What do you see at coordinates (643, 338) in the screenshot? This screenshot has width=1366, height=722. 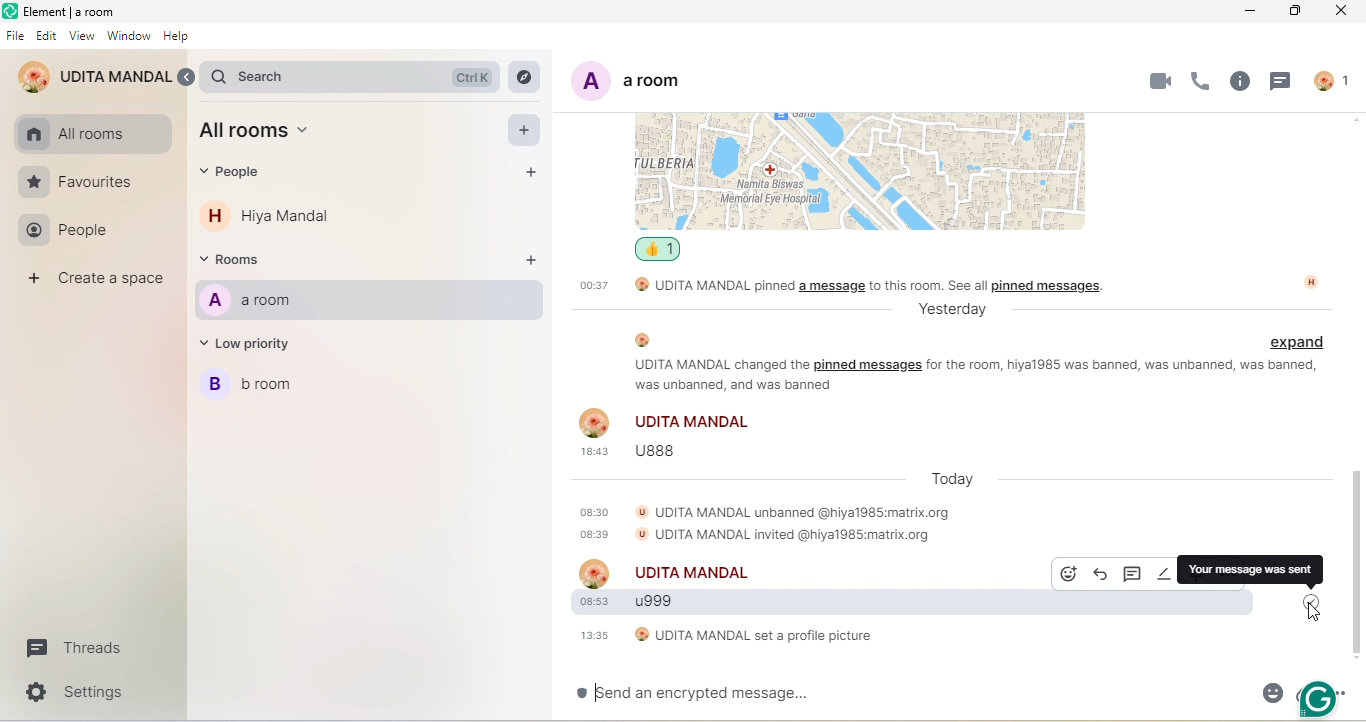 I see `image profile` at bounding box center [643, 338].